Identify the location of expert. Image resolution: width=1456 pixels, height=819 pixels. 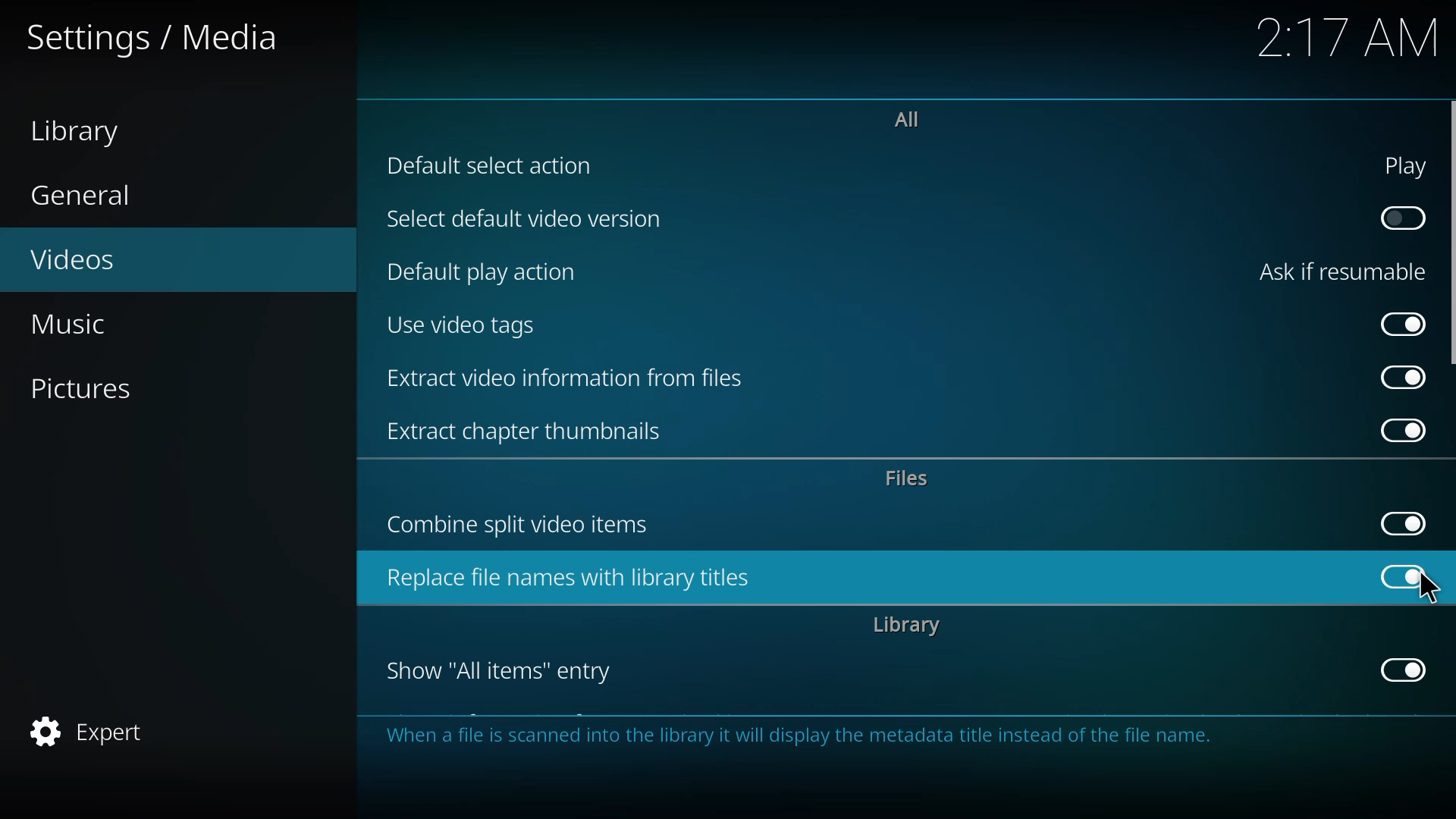
(91, 727).